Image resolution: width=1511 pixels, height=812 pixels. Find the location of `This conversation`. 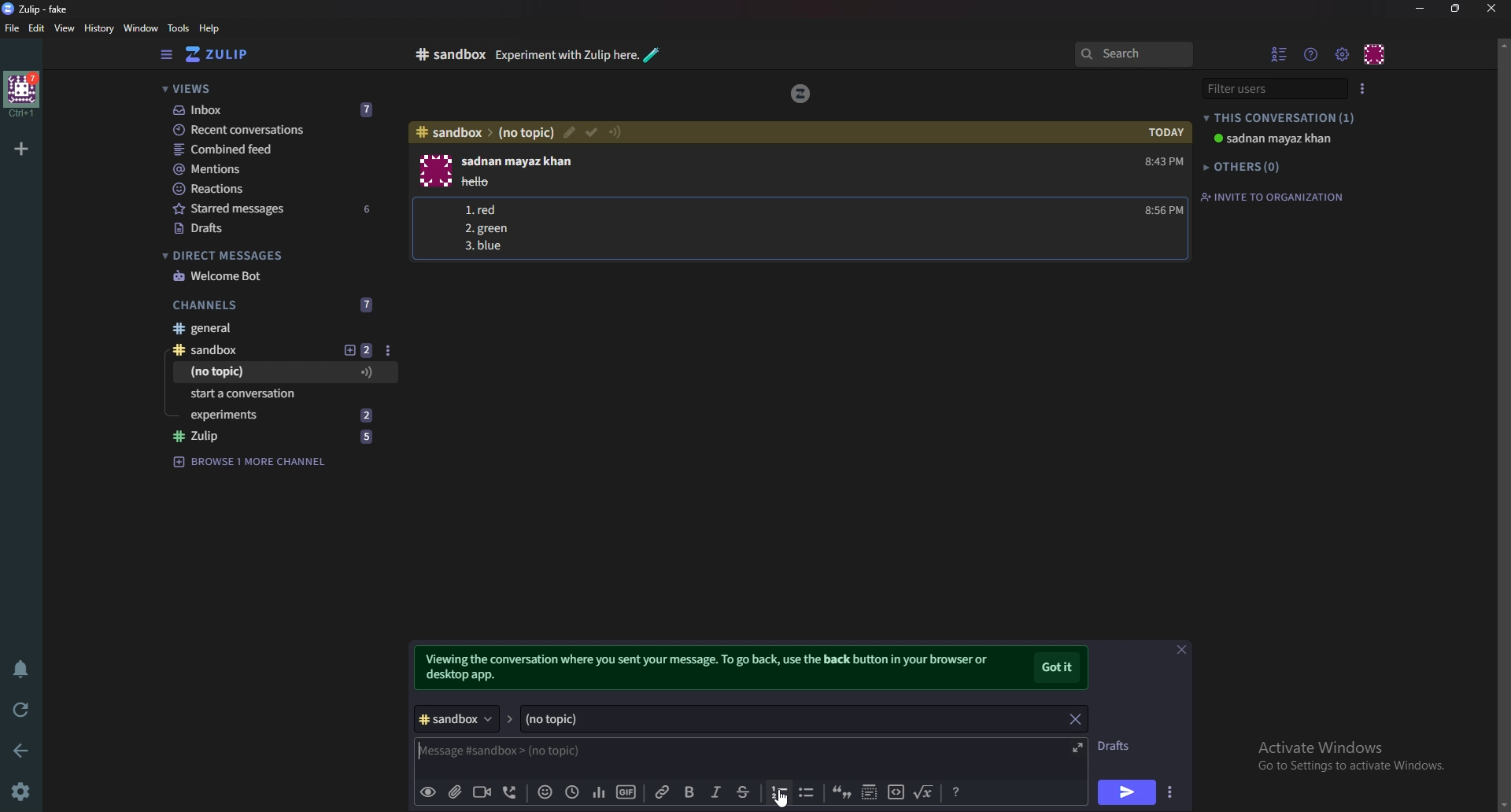

This conversation is located at coordinates (1282, 117).